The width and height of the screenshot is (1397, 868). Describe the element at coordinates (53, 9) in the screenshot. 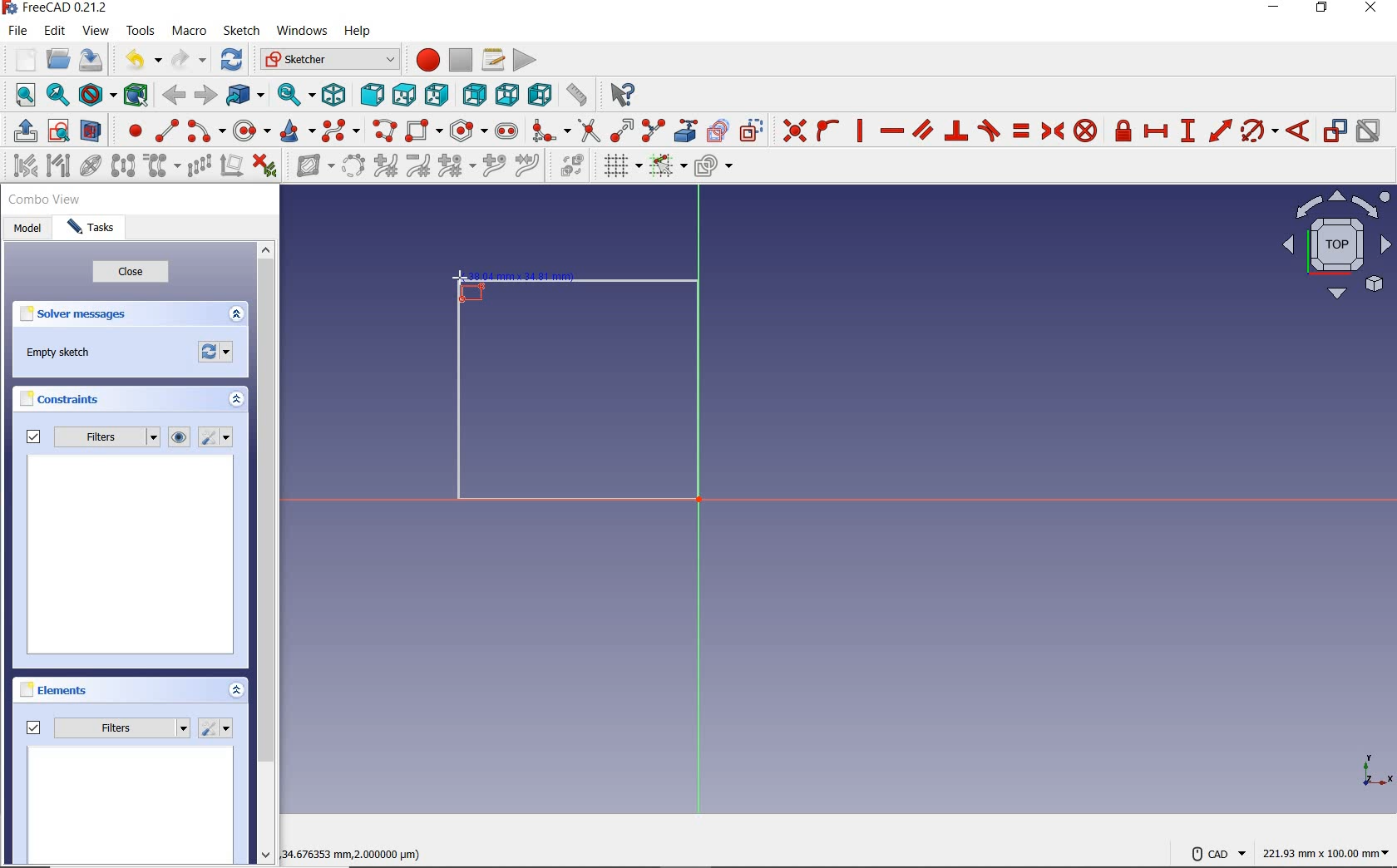

I see `freeCAD 0.21.2` at that location.